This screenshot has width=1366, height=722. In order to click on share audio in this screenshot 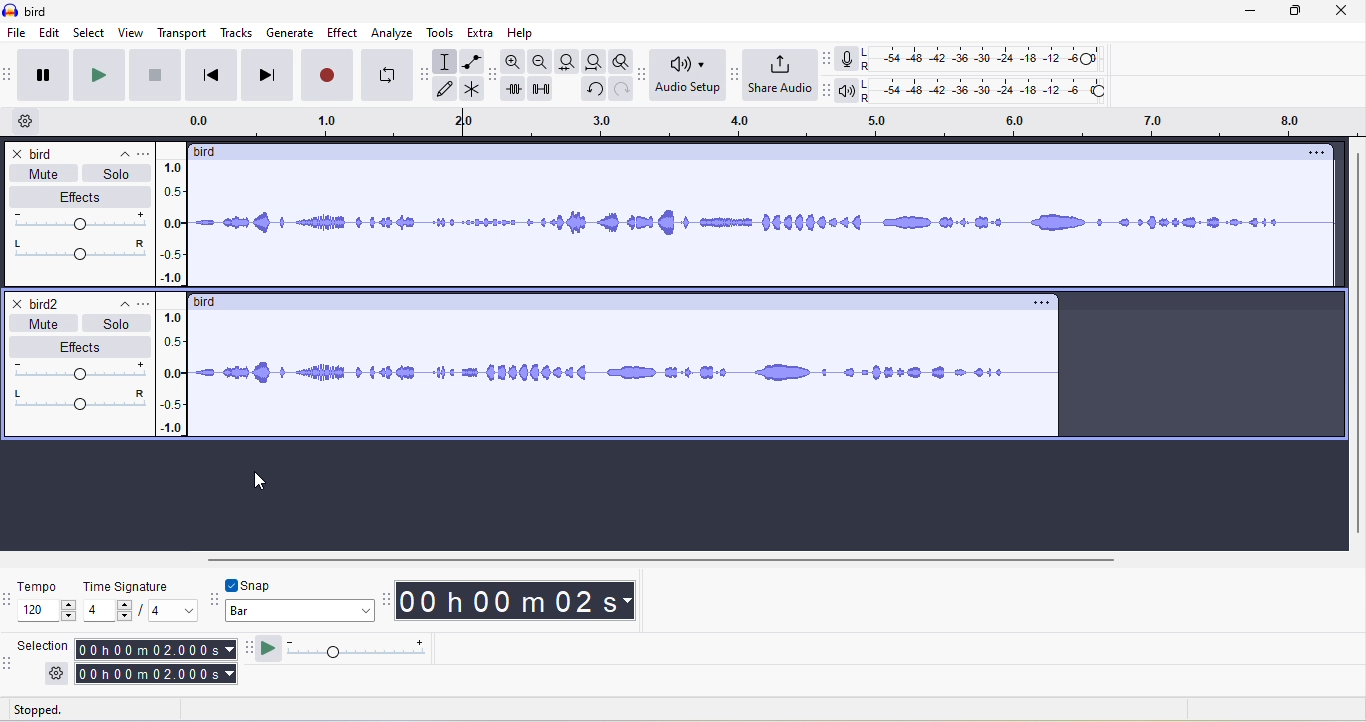, I will do `click(783, 76)`.